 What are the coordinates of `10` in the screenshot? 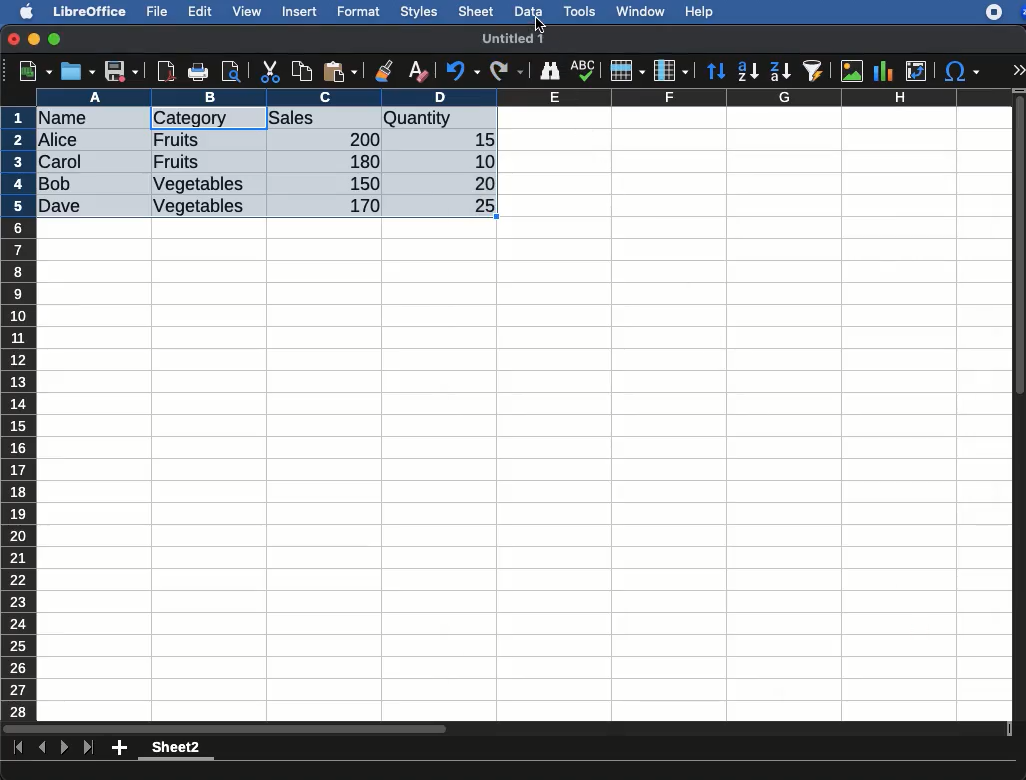 It's located at (479, 160).